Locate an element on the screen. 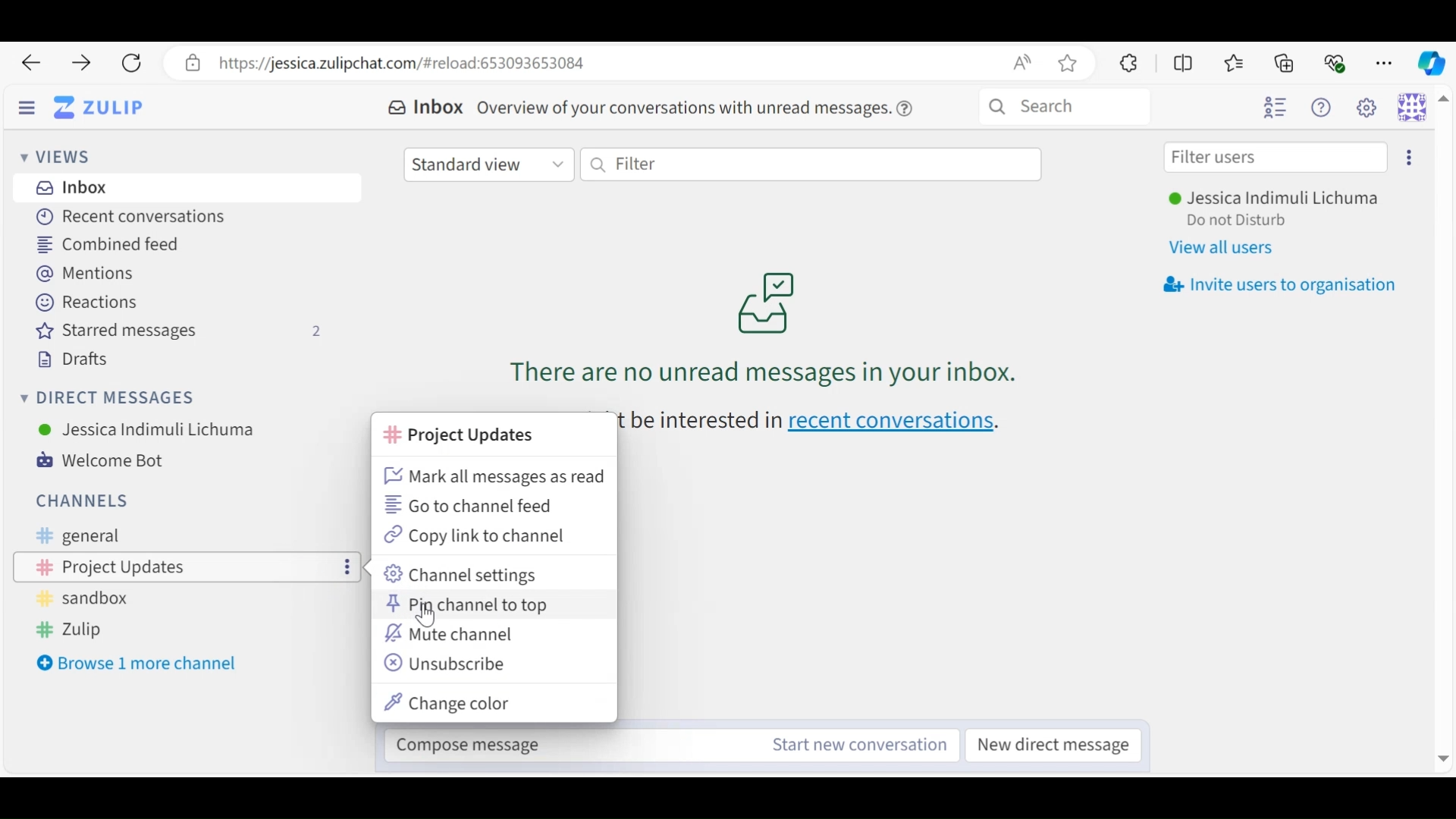 This screenshot has height=819, width=1456. Collections is located at coordinates (1286, 62).